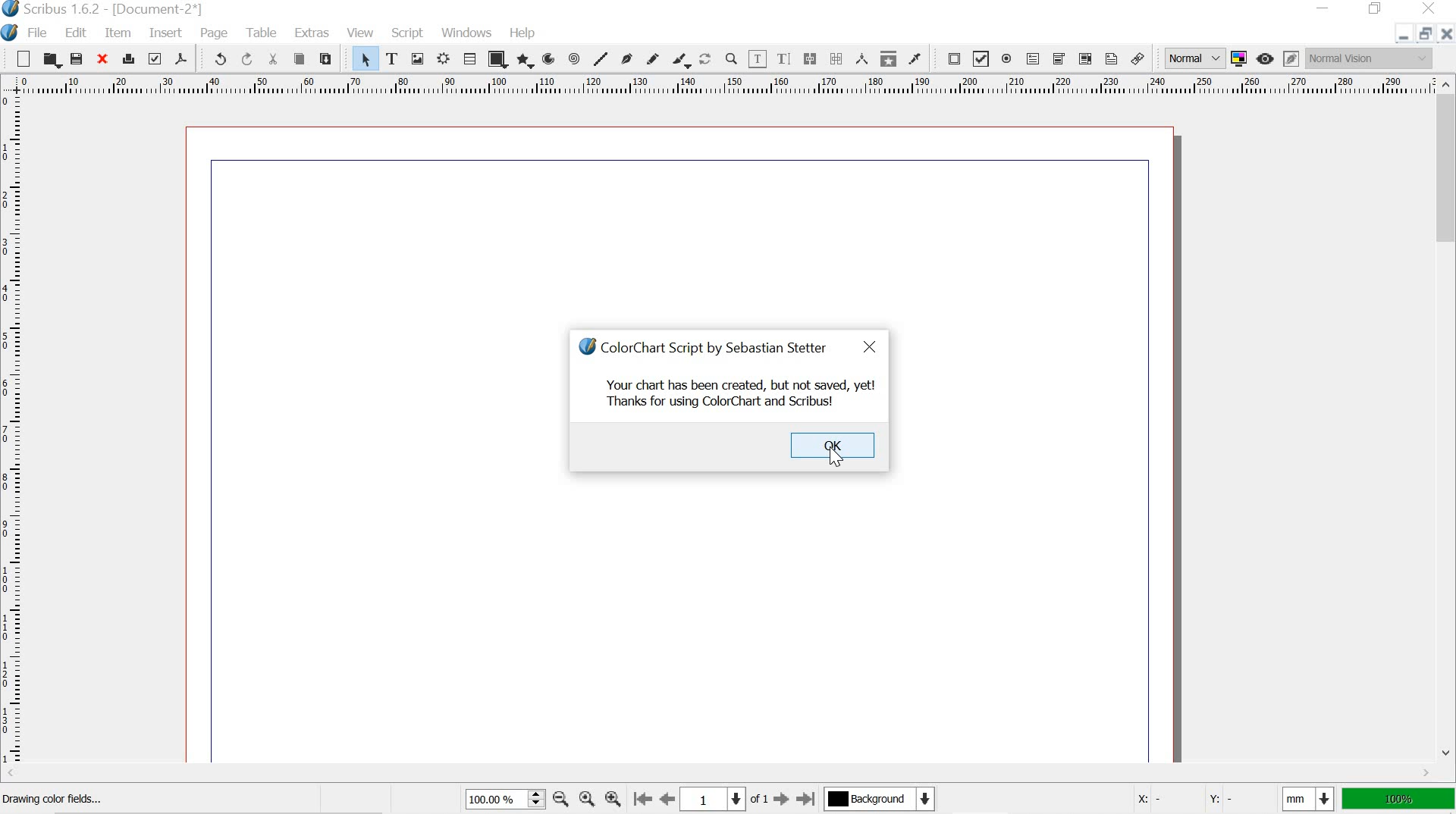 This screenshot has width=1456, height=814. Describe the element at coordinates (18, 58) in the screenshot. I see `new` at that location.